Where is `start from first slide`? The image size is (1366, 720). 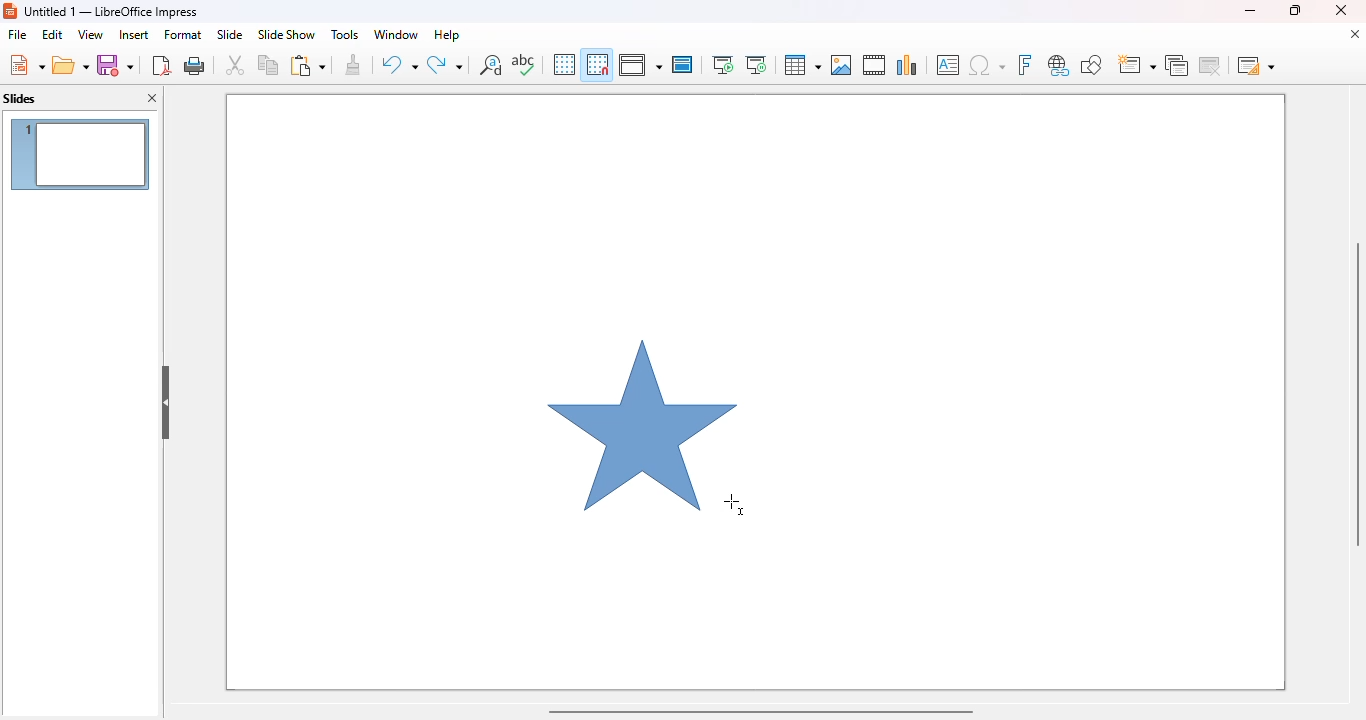 start from first slide is located at coordinates (722, 65).